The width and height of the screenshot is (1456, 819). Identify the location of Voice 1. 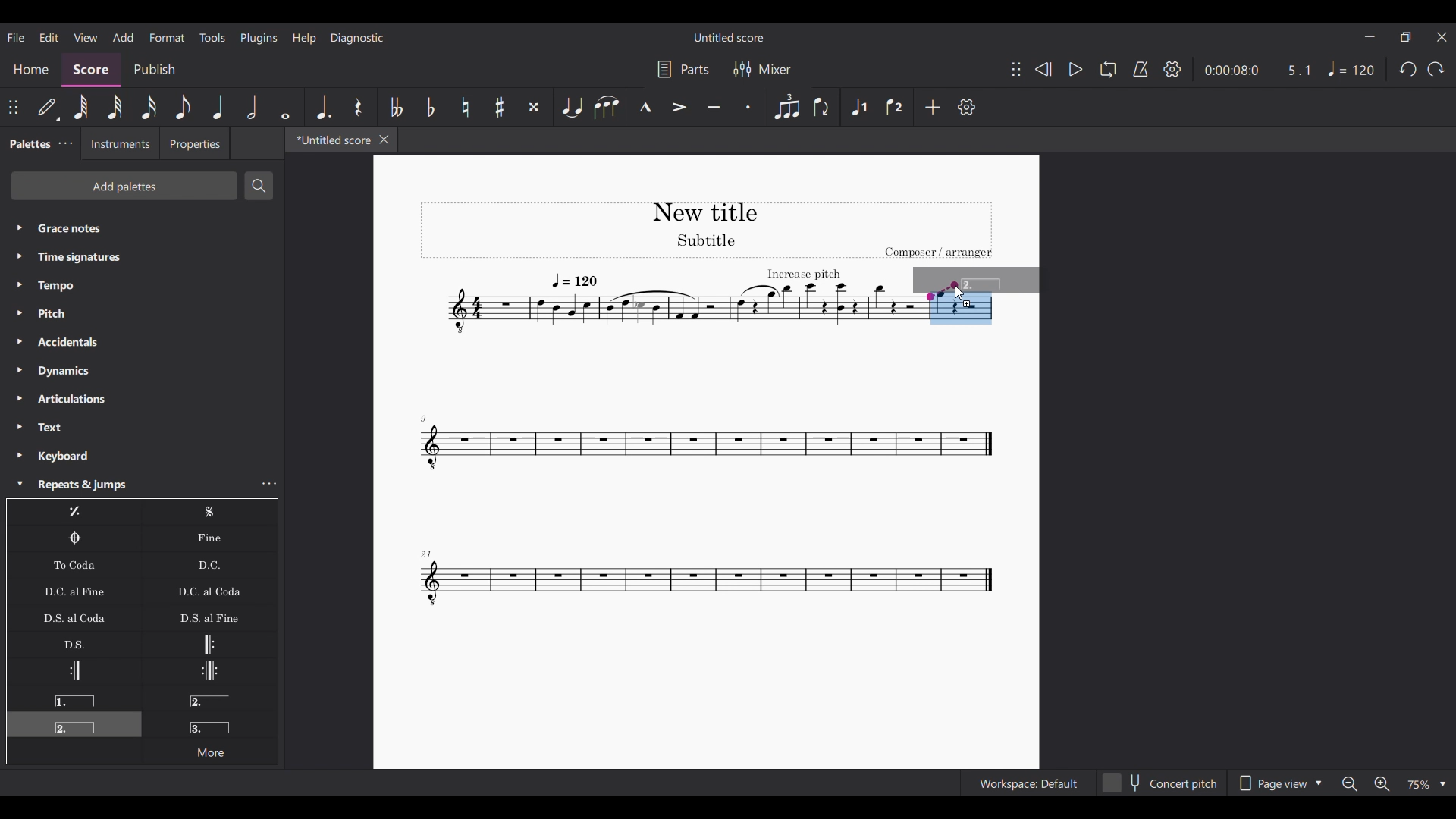
(858, 107).